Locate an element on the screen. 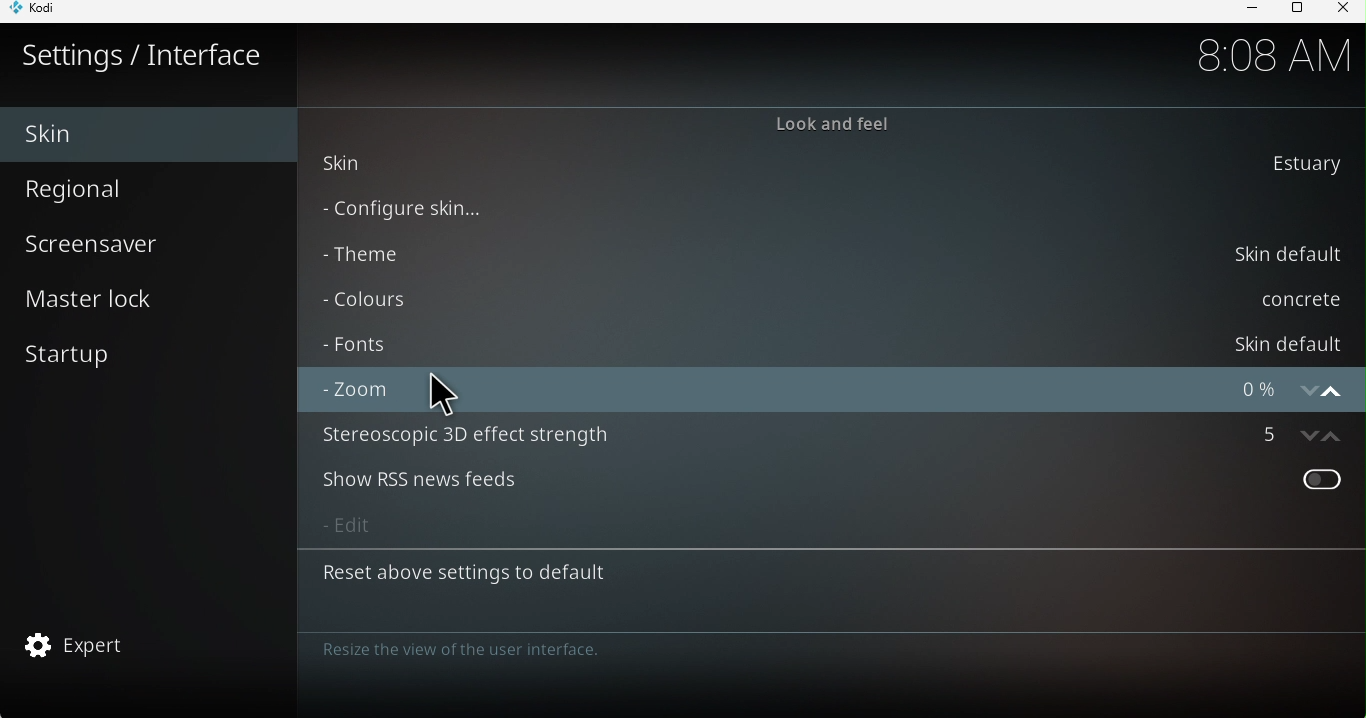 The height and width of the screenshot is (718, 1366). Screensaver is located at coordinates (104, 244).